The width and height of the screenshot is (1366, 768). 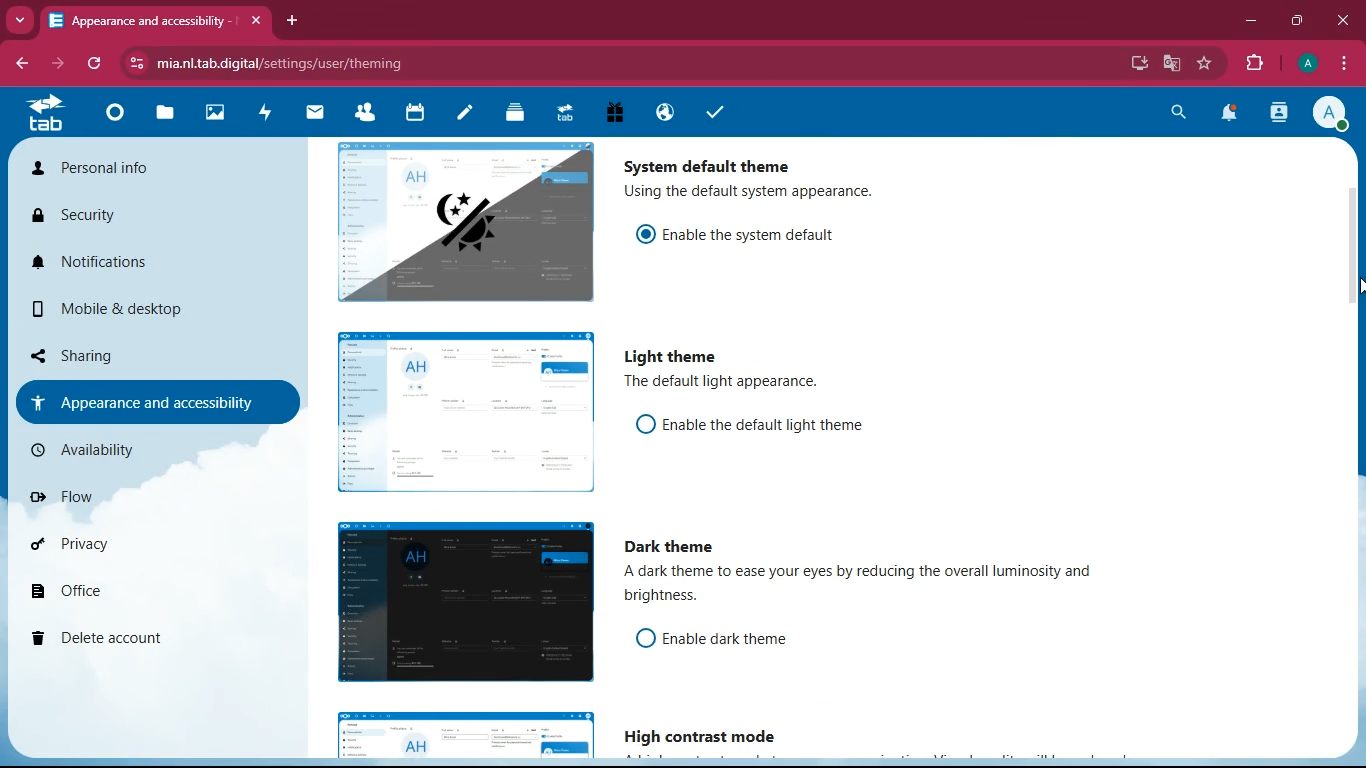 I want to click on availiability, so click(x=131, y=450).